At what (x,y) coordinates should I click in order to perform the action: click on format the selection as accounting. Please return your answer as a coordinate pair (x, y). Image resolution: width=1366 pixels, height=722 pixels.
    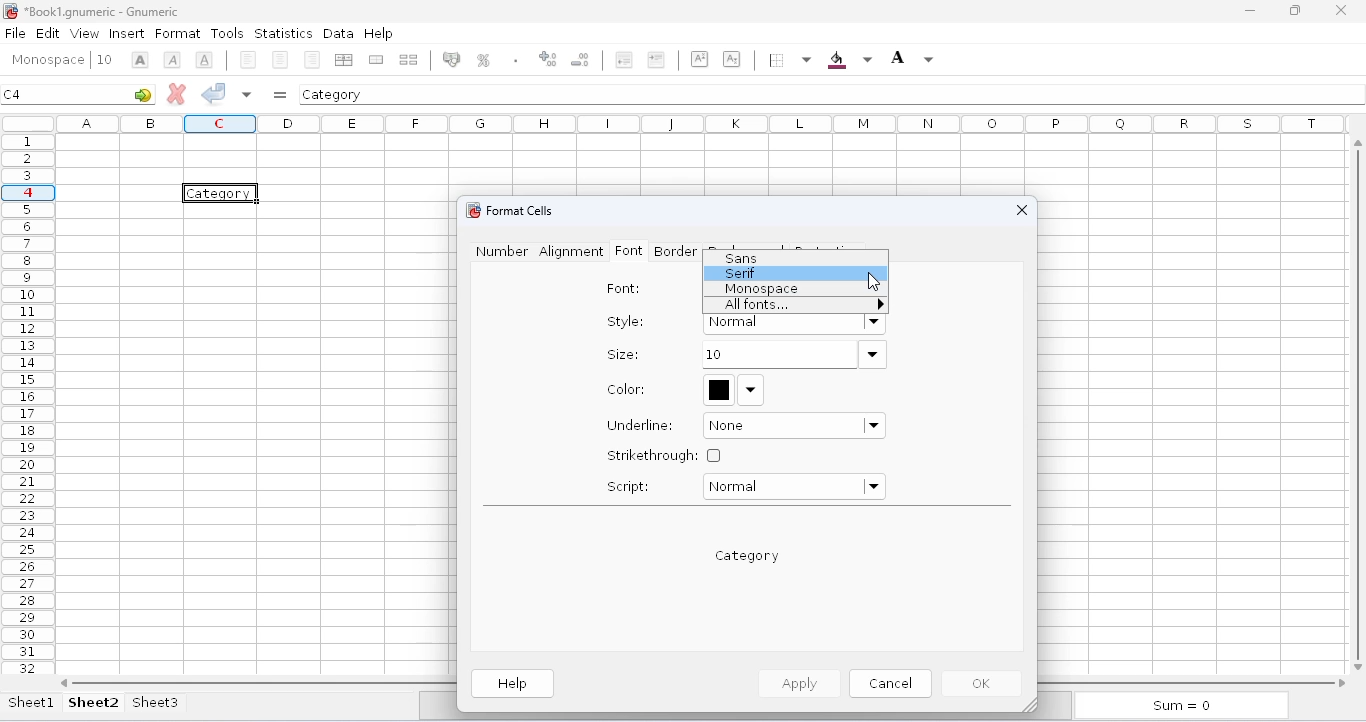
    Looking at the image, I should click on (451, 59).